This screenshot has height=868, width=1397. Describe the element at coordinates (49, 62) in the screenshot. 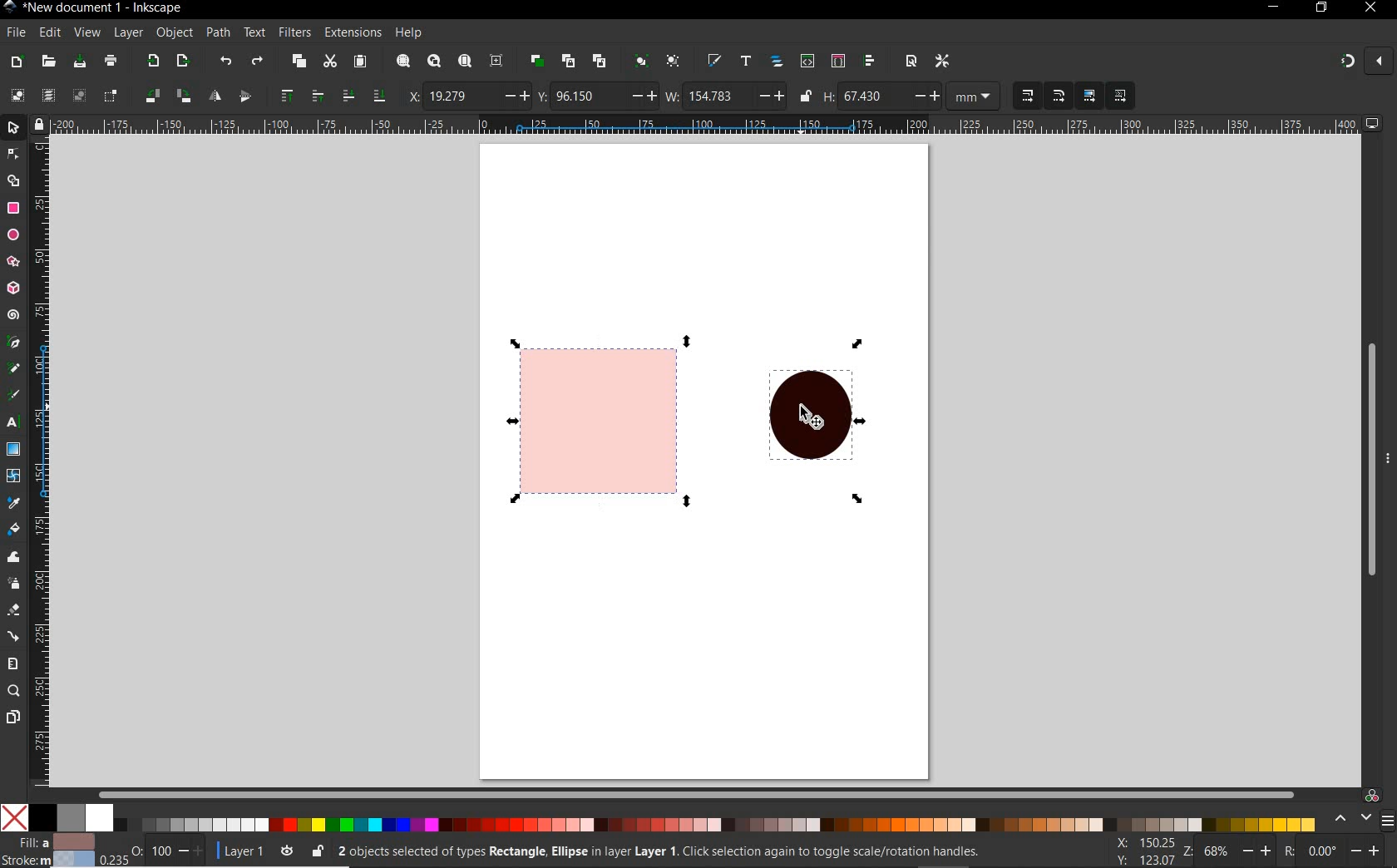

I see `open file dialog` at that location.